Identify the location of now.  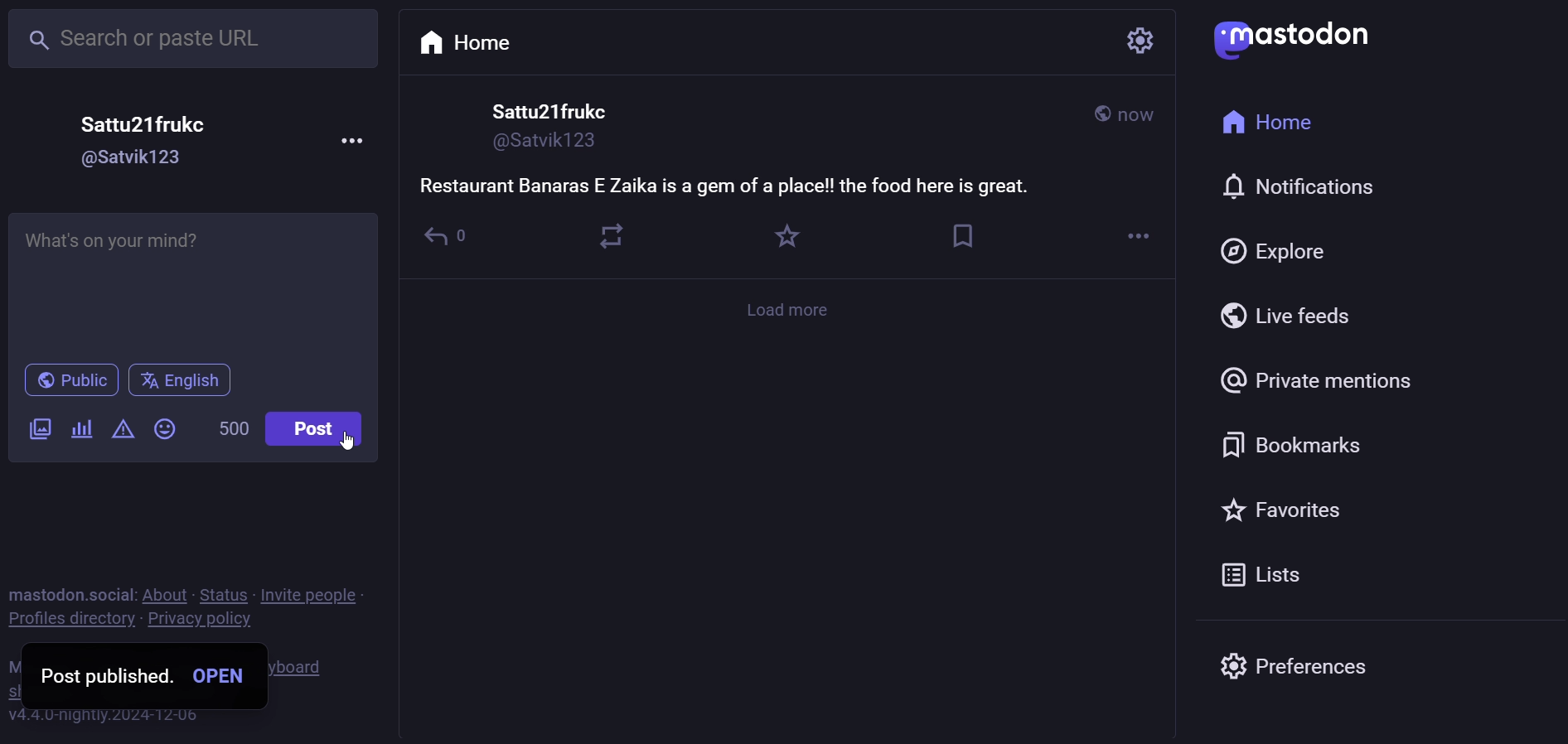
(1140, 118).